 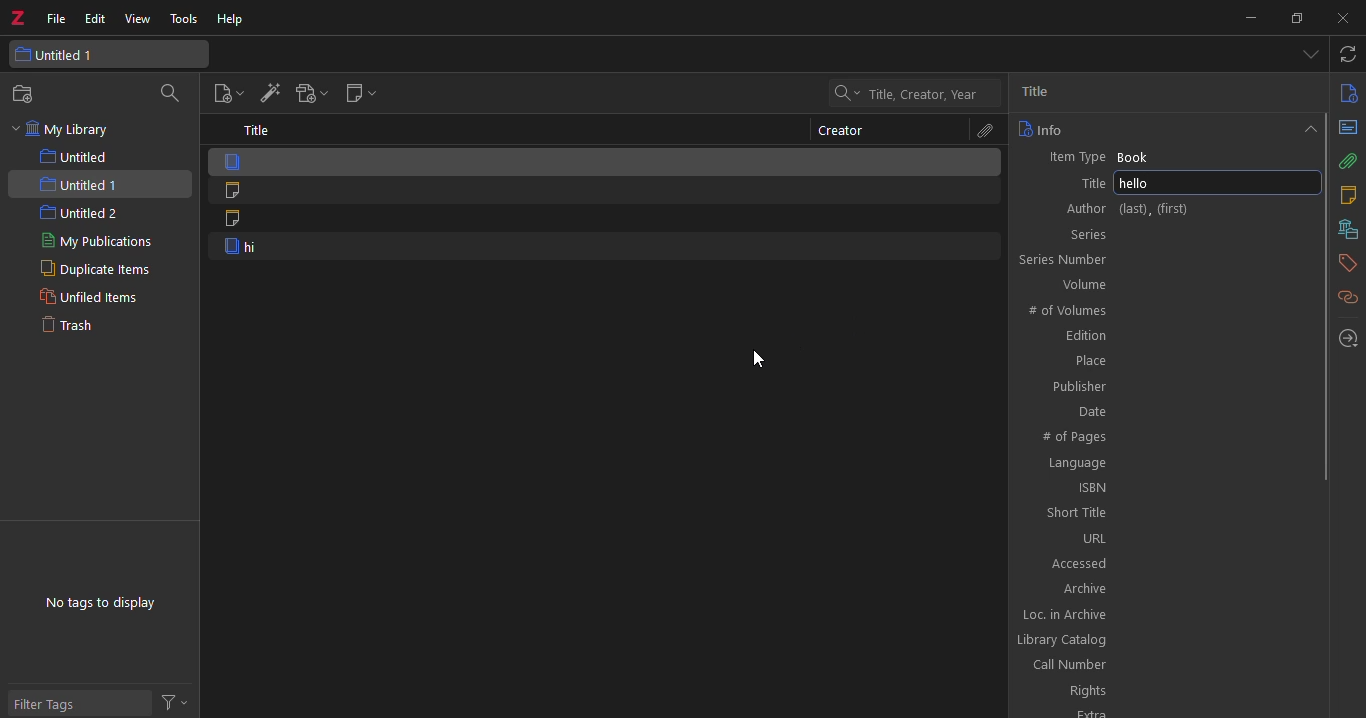 I want to click on loc. in archive, so click(x=1165, y=614).